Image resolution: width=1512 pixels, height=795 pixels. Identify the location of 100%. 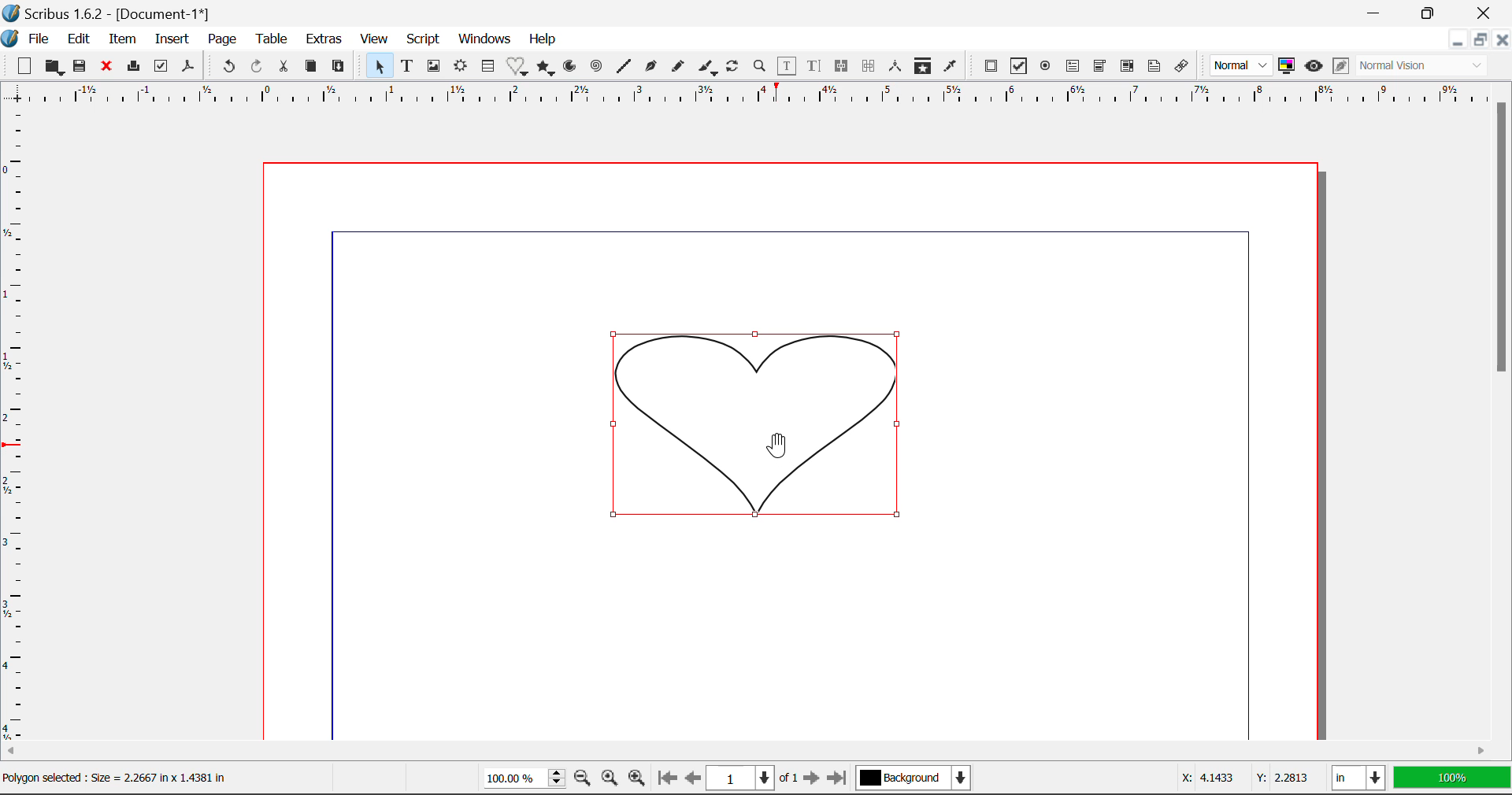
(1451, 779).